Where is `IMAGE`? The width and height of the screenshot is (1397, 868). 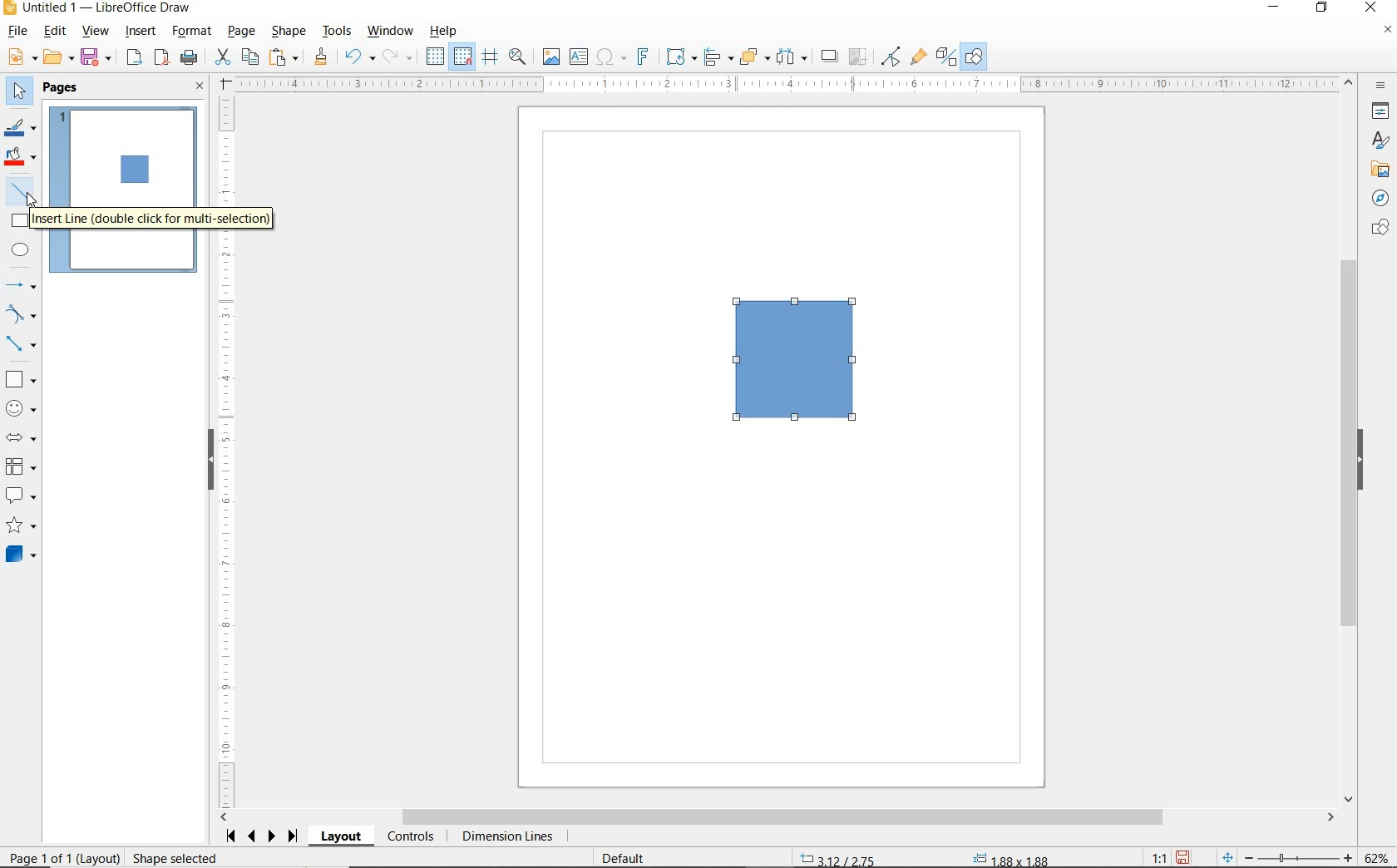 IMAGE is located at coordinates (550, 56).